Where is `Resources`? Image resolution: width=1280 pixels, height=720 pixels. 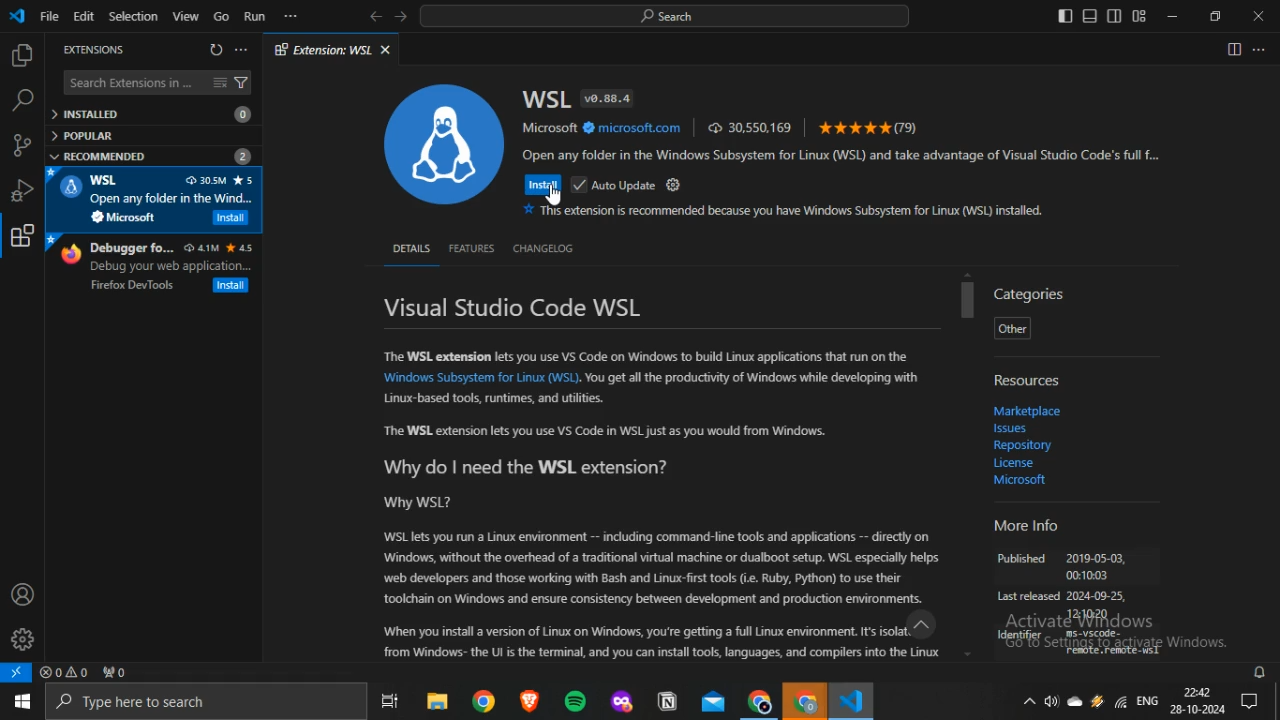
Resources is located at coordinates (1029, 380).